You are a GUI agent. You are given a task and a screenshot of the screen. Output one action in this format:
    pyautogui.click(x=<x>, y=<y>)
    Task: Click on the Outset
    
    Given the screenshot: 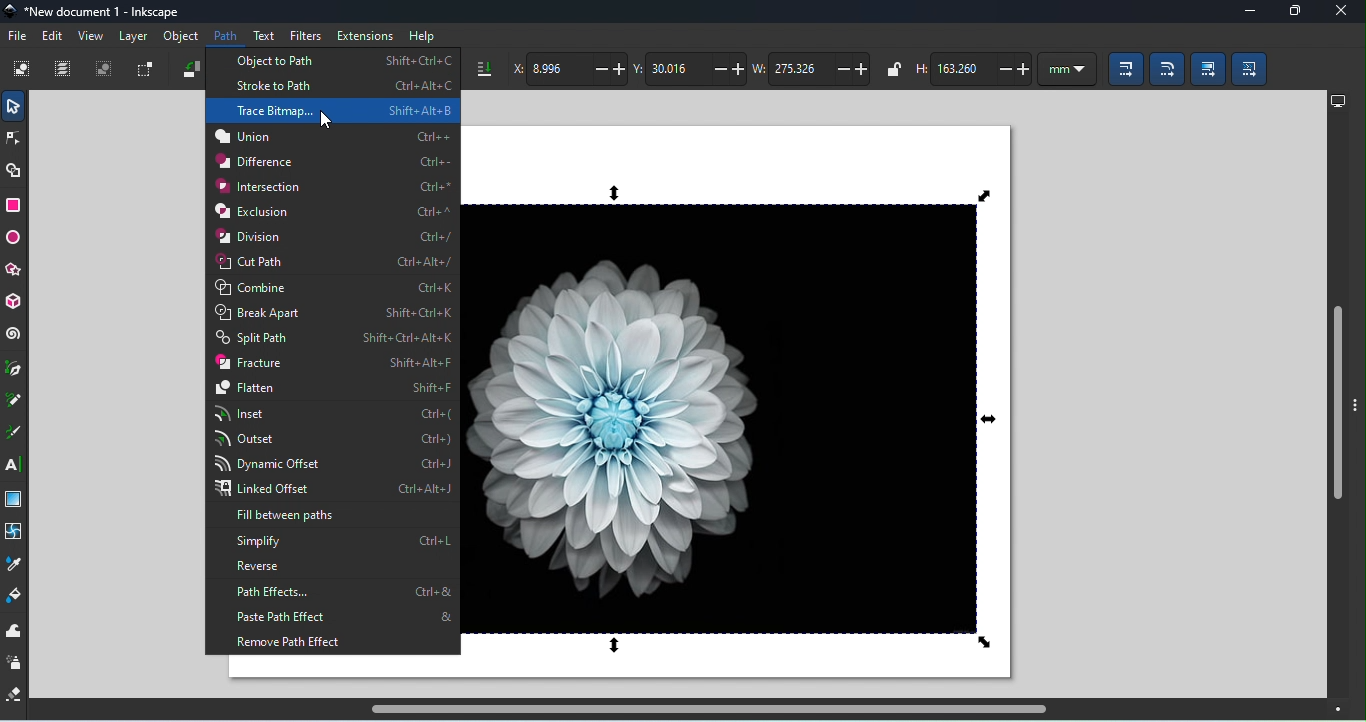 What is the action you would take?
    pyautogui.click(x=333, y=436)
    